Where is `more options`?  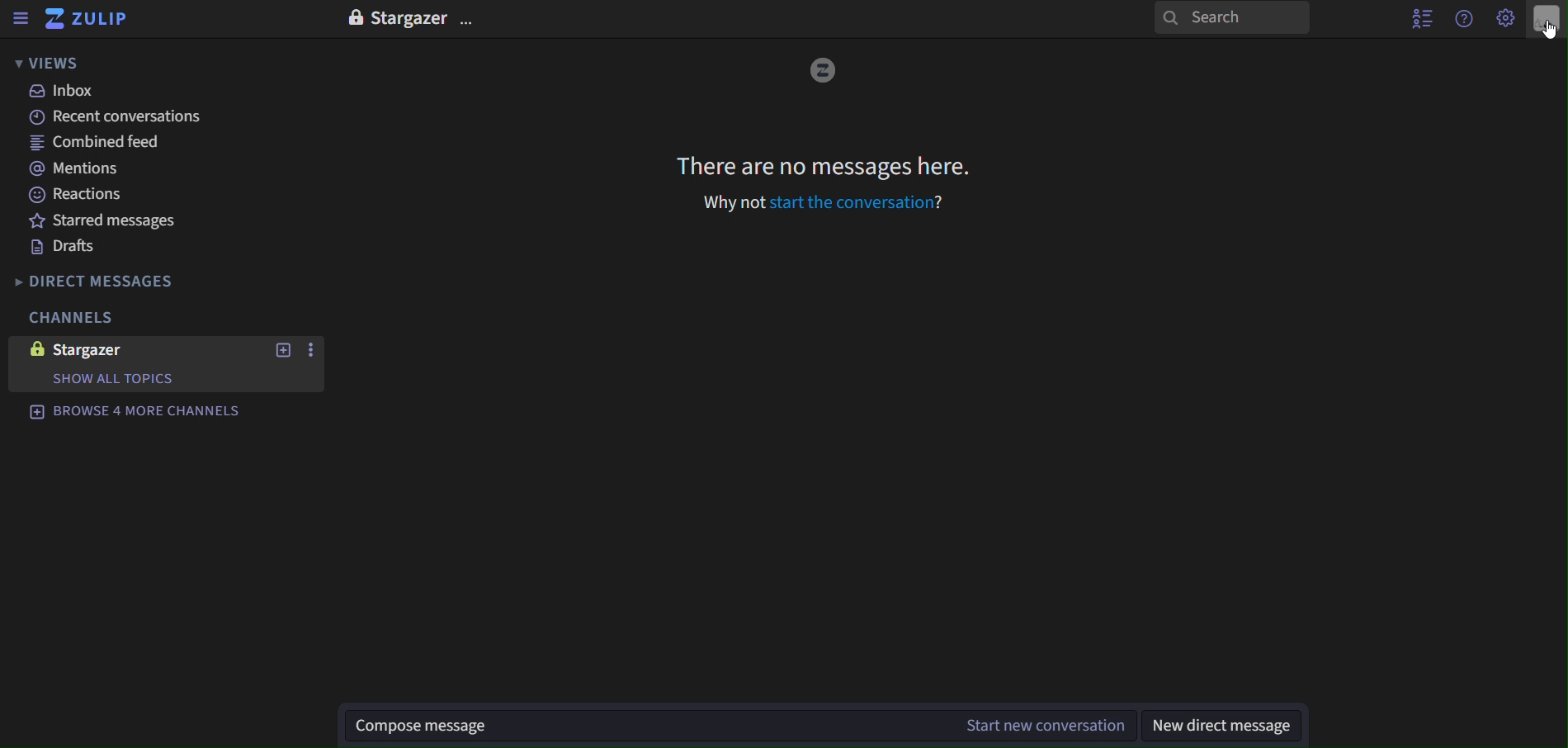 more options is located at coordinates (313, 351).